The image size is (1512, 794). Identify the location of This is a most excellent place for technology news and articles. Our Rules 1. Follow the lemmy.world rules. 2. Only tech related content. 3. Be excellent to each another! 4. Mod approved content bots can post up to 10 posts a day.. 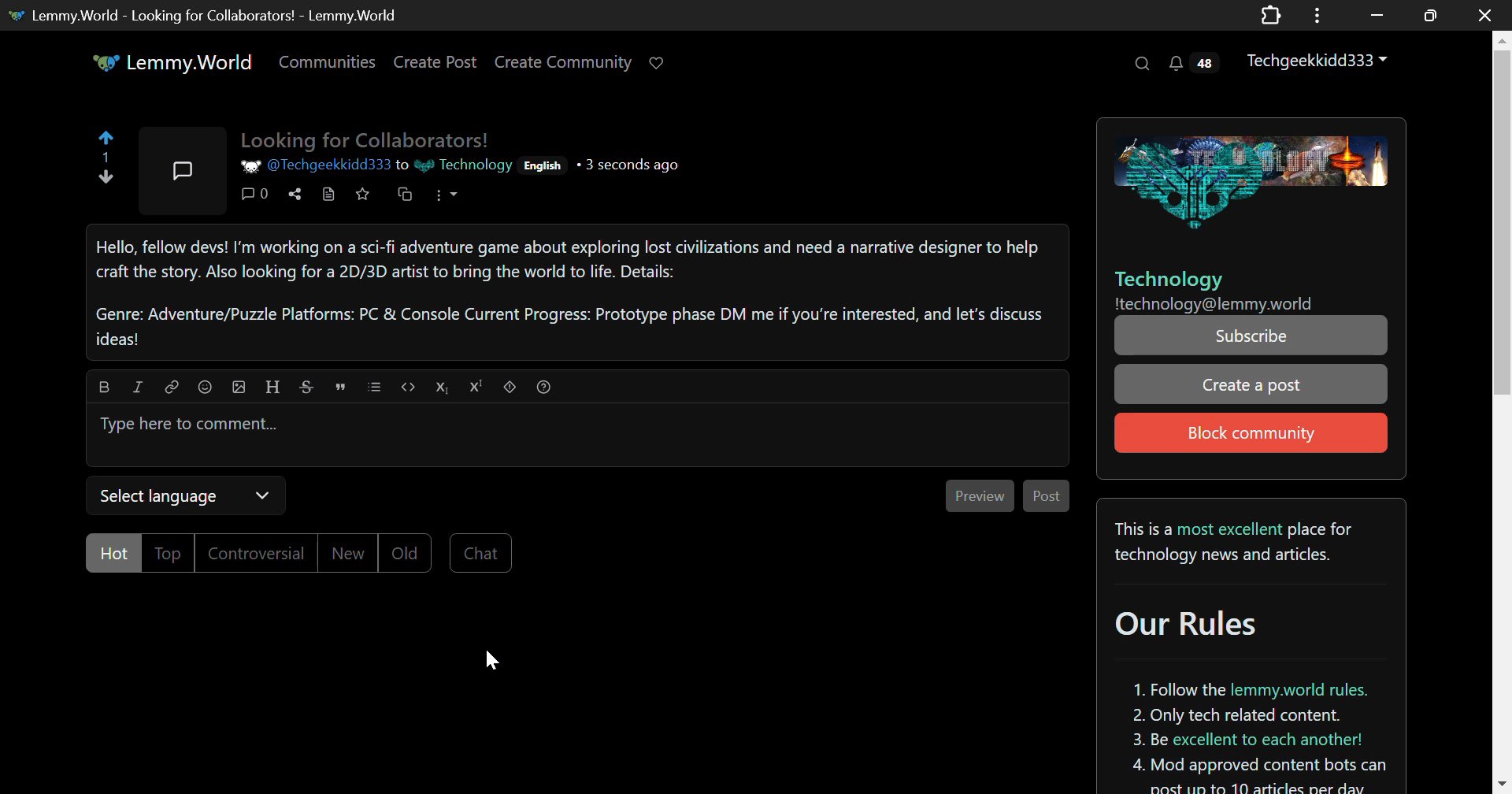
(1247, 645).